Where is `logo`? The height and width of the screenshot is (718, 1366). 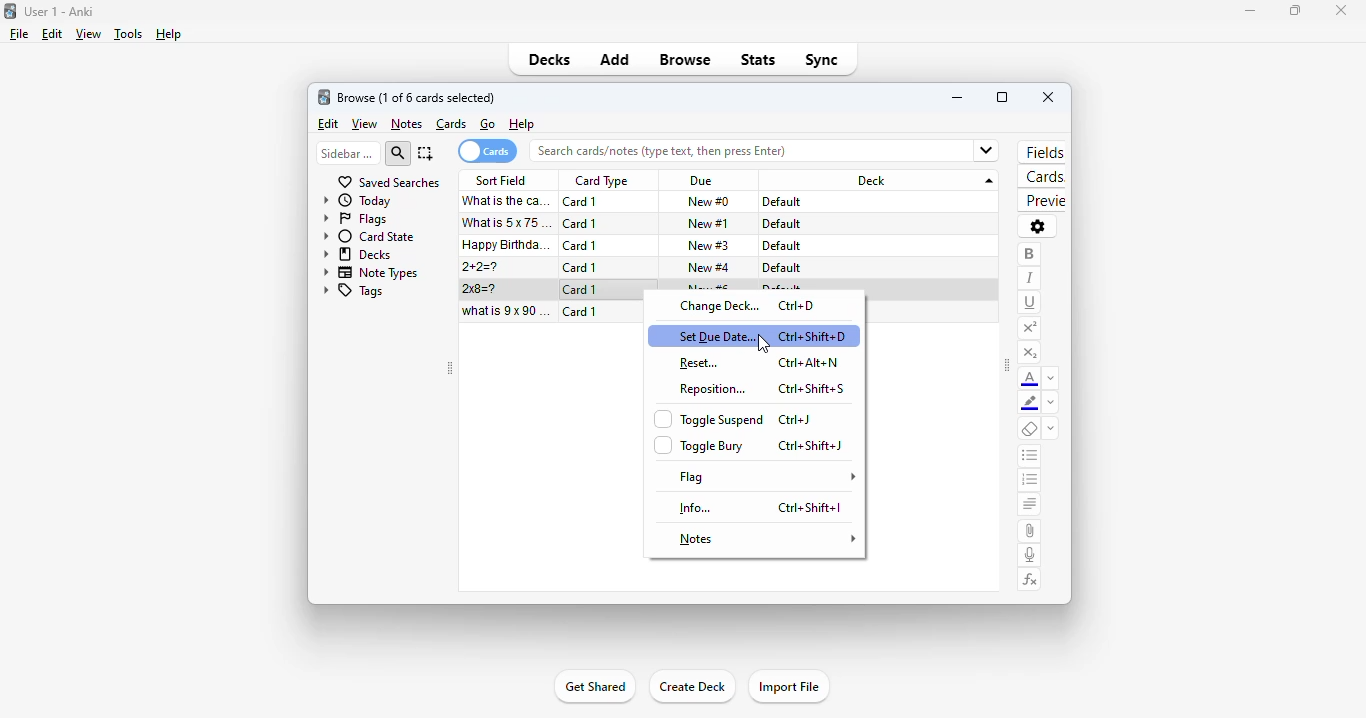
logo is located at coordinates (324, 97).